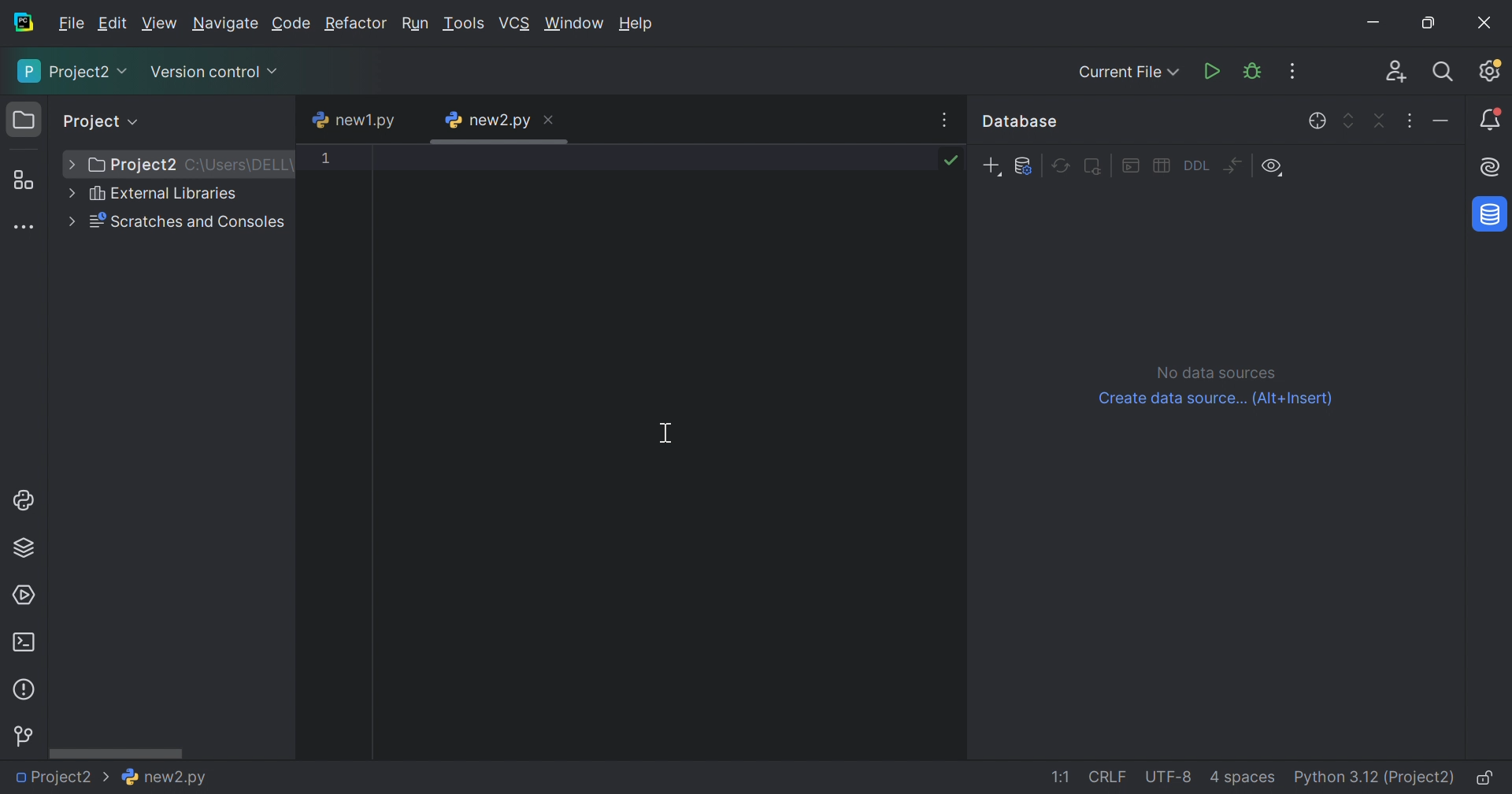 The width and height of the screenshot is (1512, 794). What do you see at coordinates (72, 192) in the screenshot?
I see `More` at bounding box center [72, 192].